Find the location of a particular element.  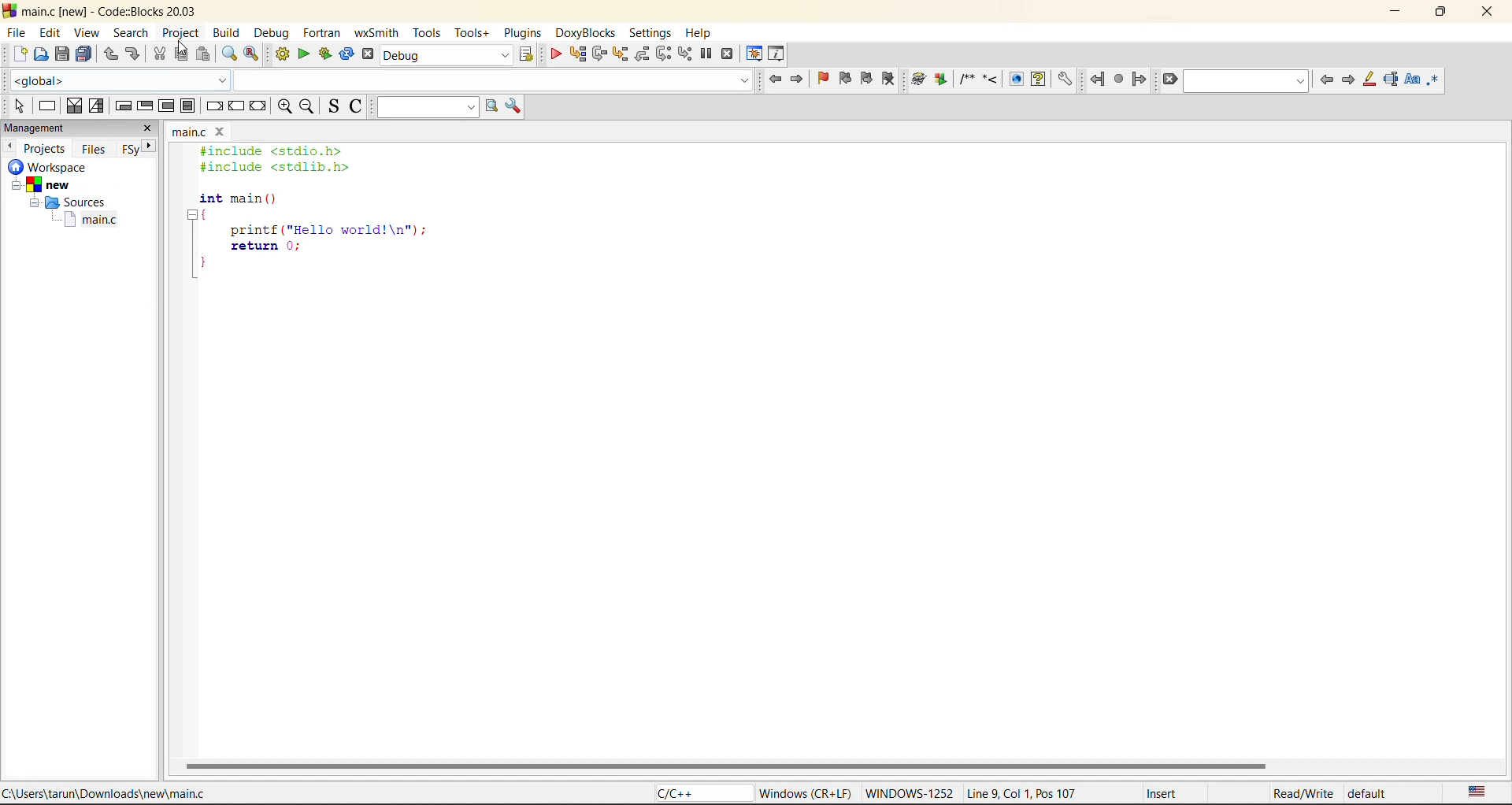

C:\Users\tarun\Downloads\new\main.c is located at coordinates (110, 793).